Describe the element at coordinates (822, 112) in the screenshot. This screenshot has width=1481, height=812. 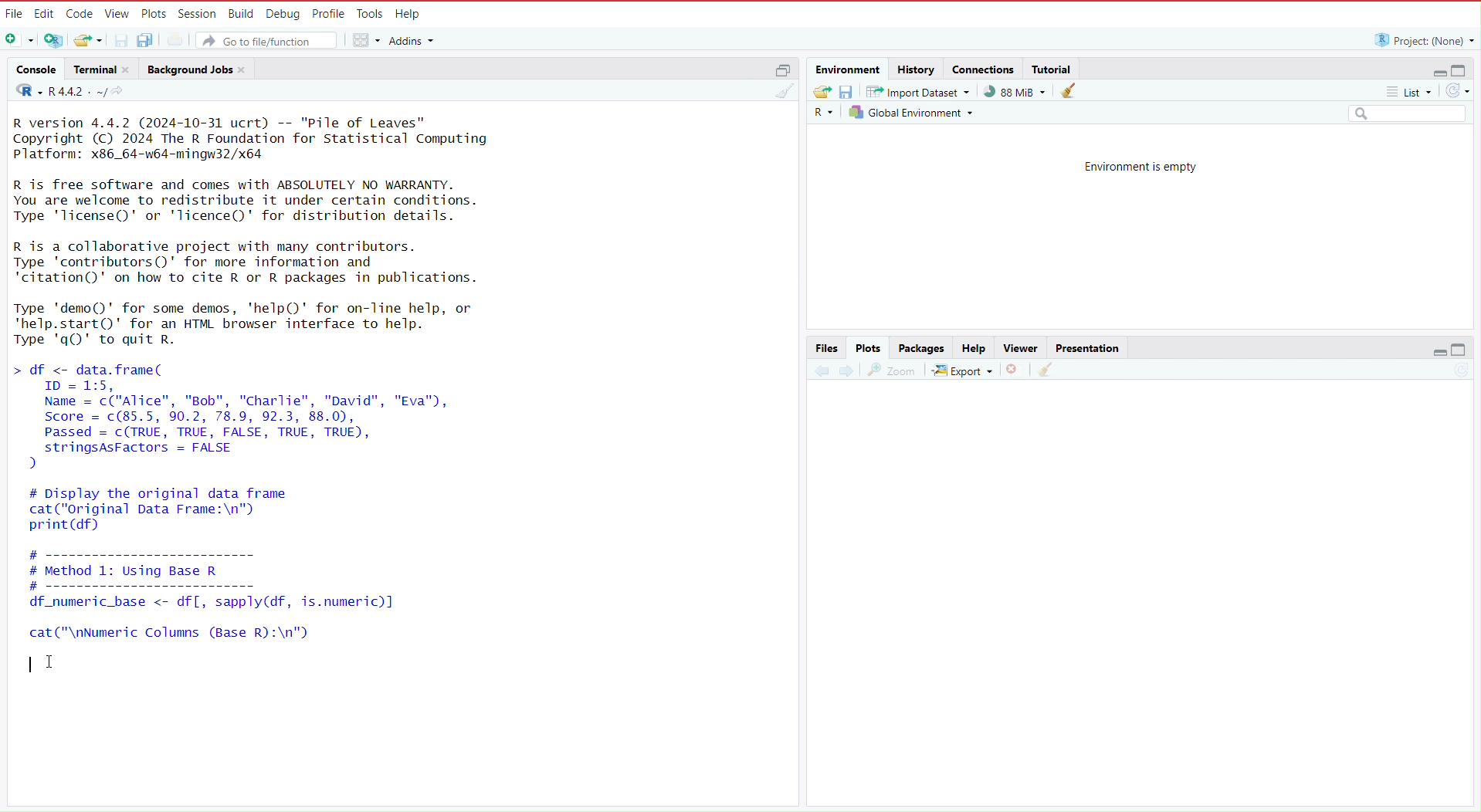
I see `Language select` at that location.